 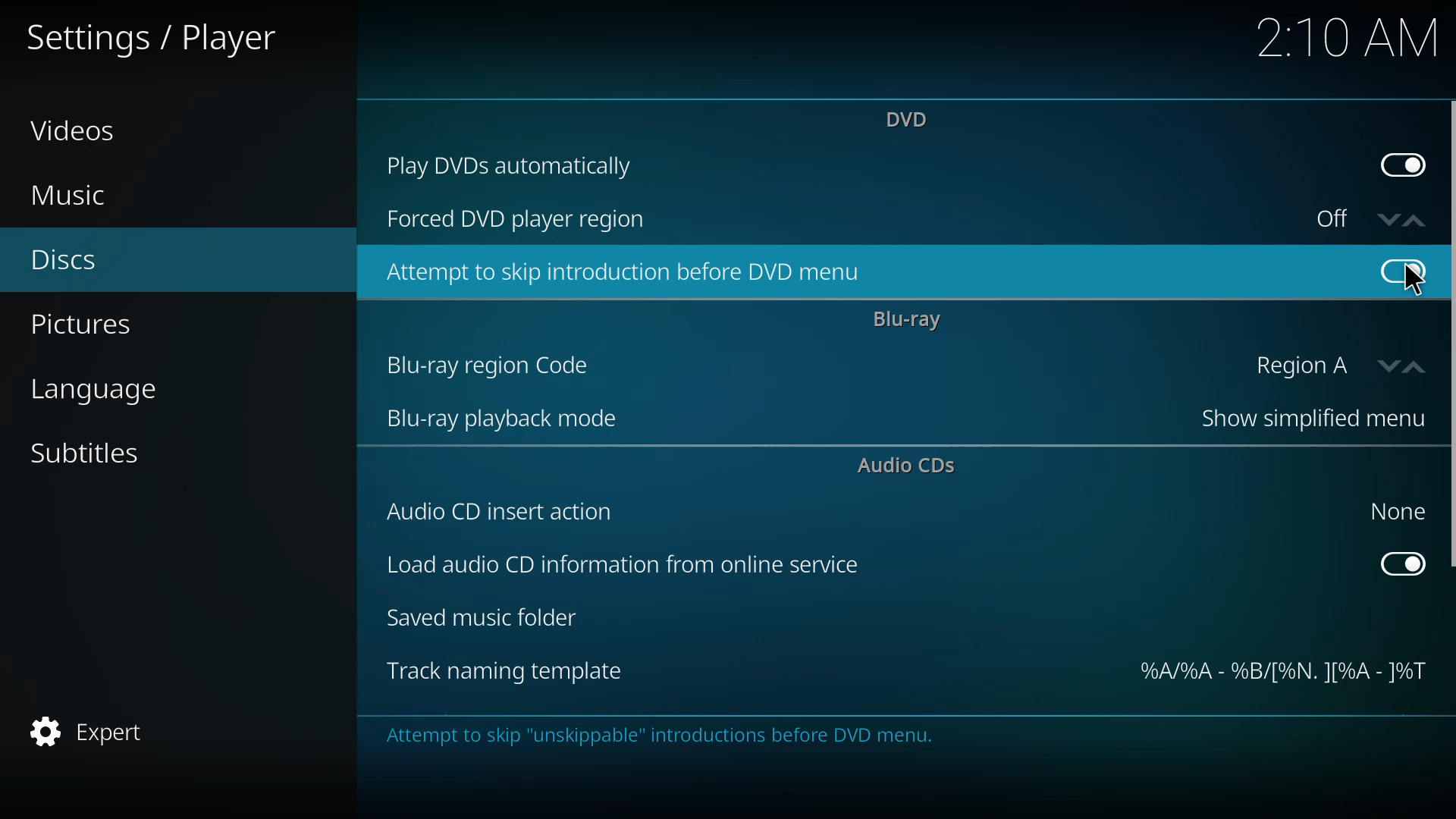 I want to click on info, so click(x=670, y=739).